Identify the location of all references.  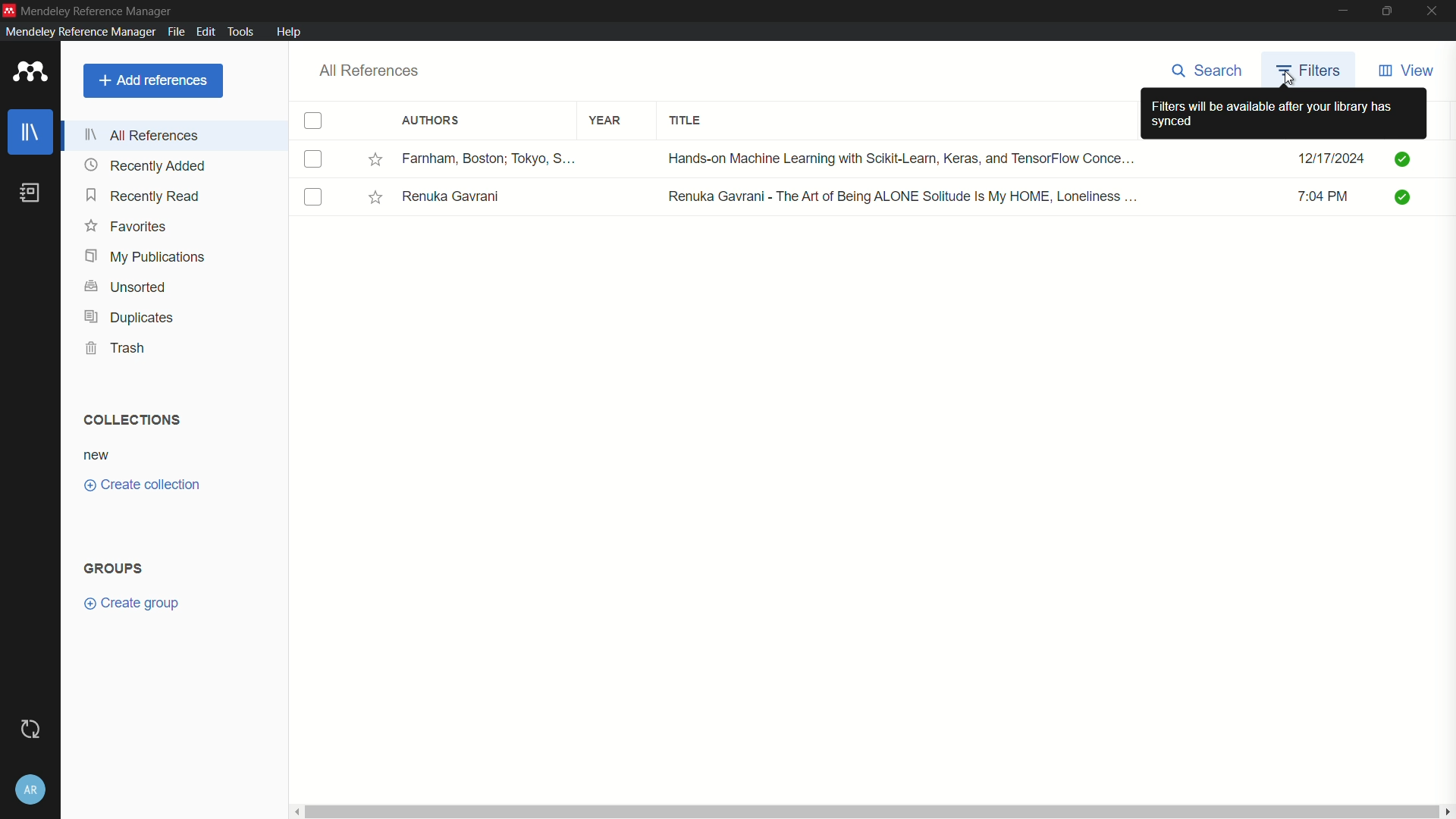
(142, 135).